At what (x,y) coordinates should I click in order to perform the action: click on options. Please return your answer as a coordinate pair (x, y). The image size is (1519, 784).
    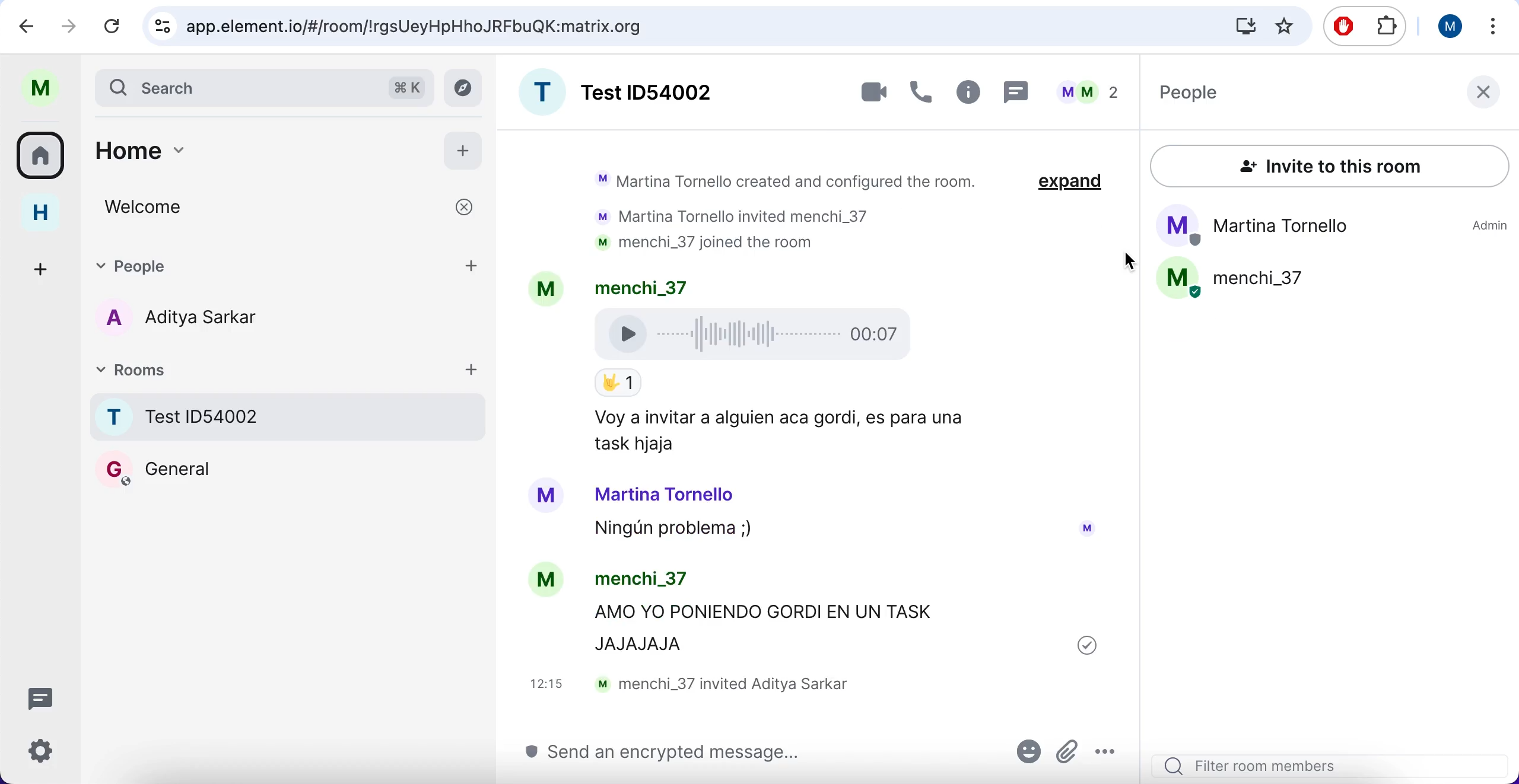
    Looking at the image, I should click on (1492, 26).